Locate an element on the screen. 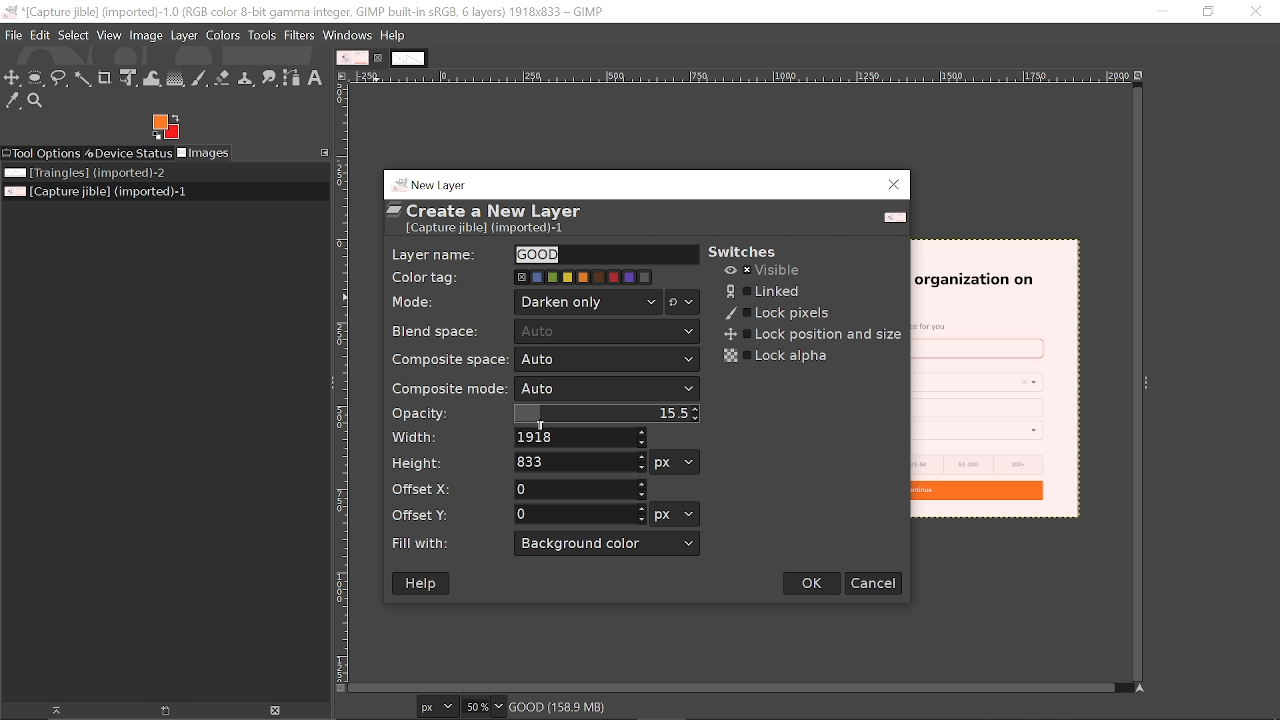 This screenshot has width=1280, height=720. Zoom tool is located at coordinates (37, 101).